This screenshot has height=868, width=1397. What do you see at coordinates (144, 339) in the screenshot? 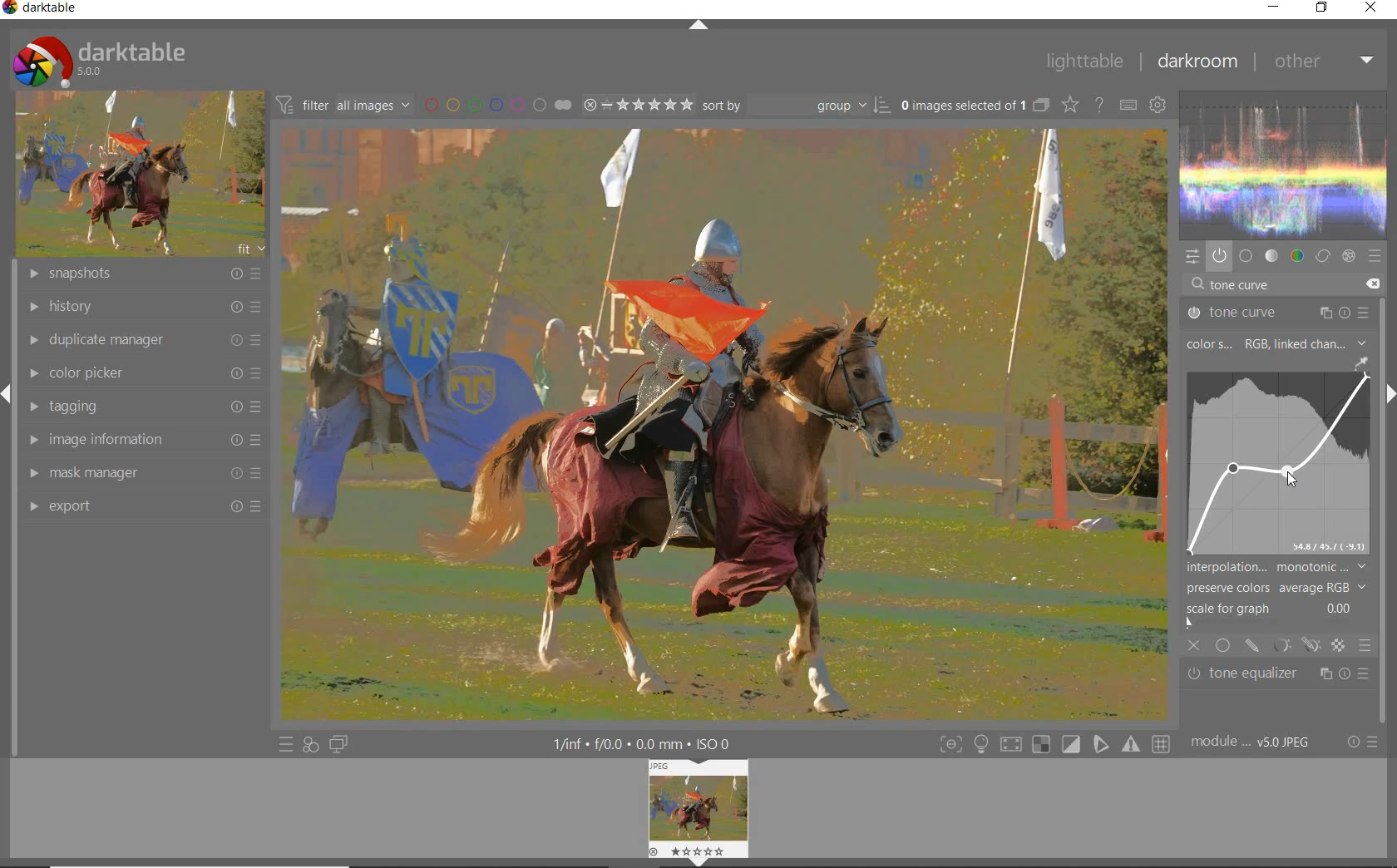
I see `duplicate manager` at bounding box center [144, 339].